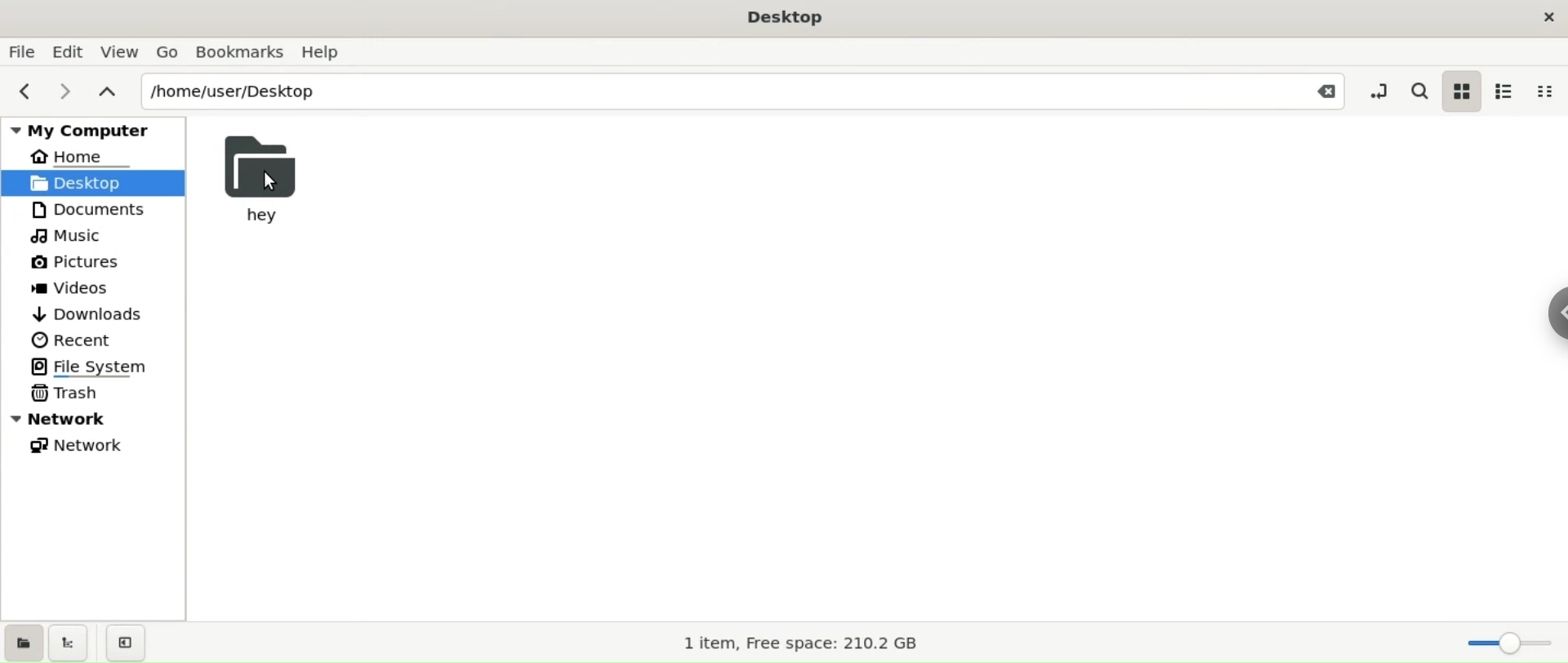 Image resolution: width=1568 pixels, height=663 pixels. I want to click on Pictures, so click(77, 263).